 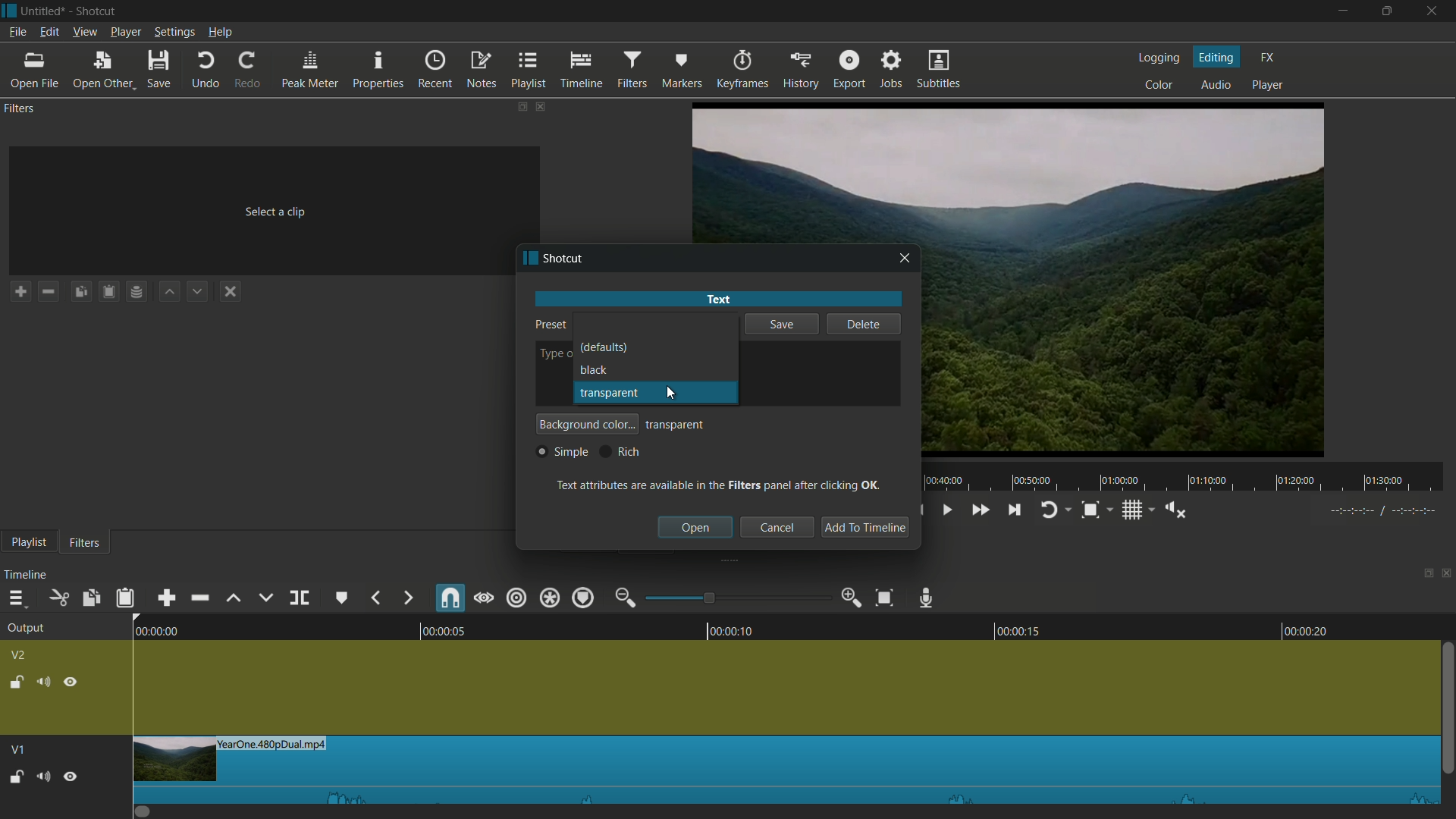 I want to click on scrub while dragging, so click(x=485, y=598).